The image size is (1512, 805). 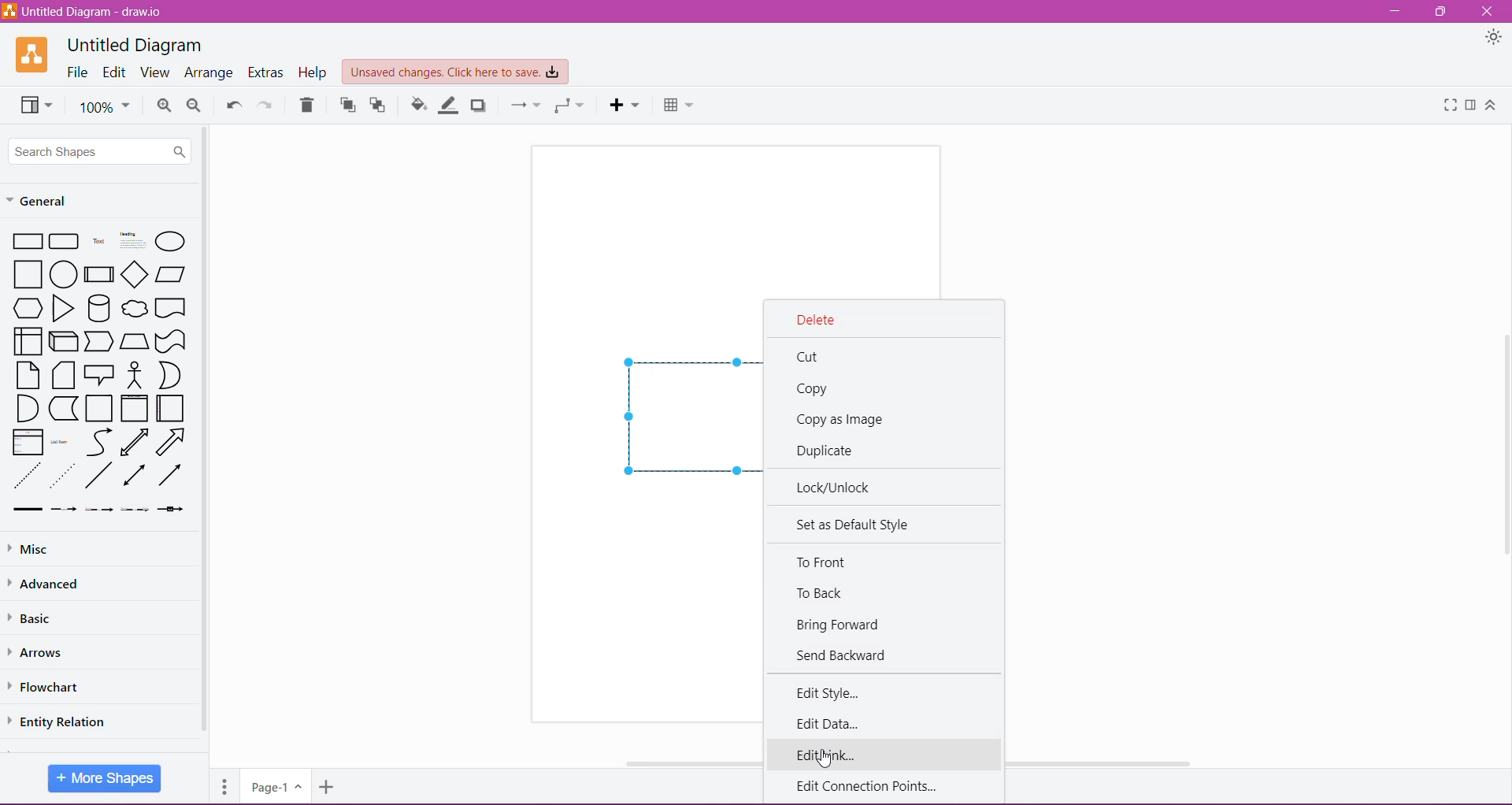 What do you see at coordinates (813, 318) in the screenshot?
I see `Delete` at bounding box center [813, 318].